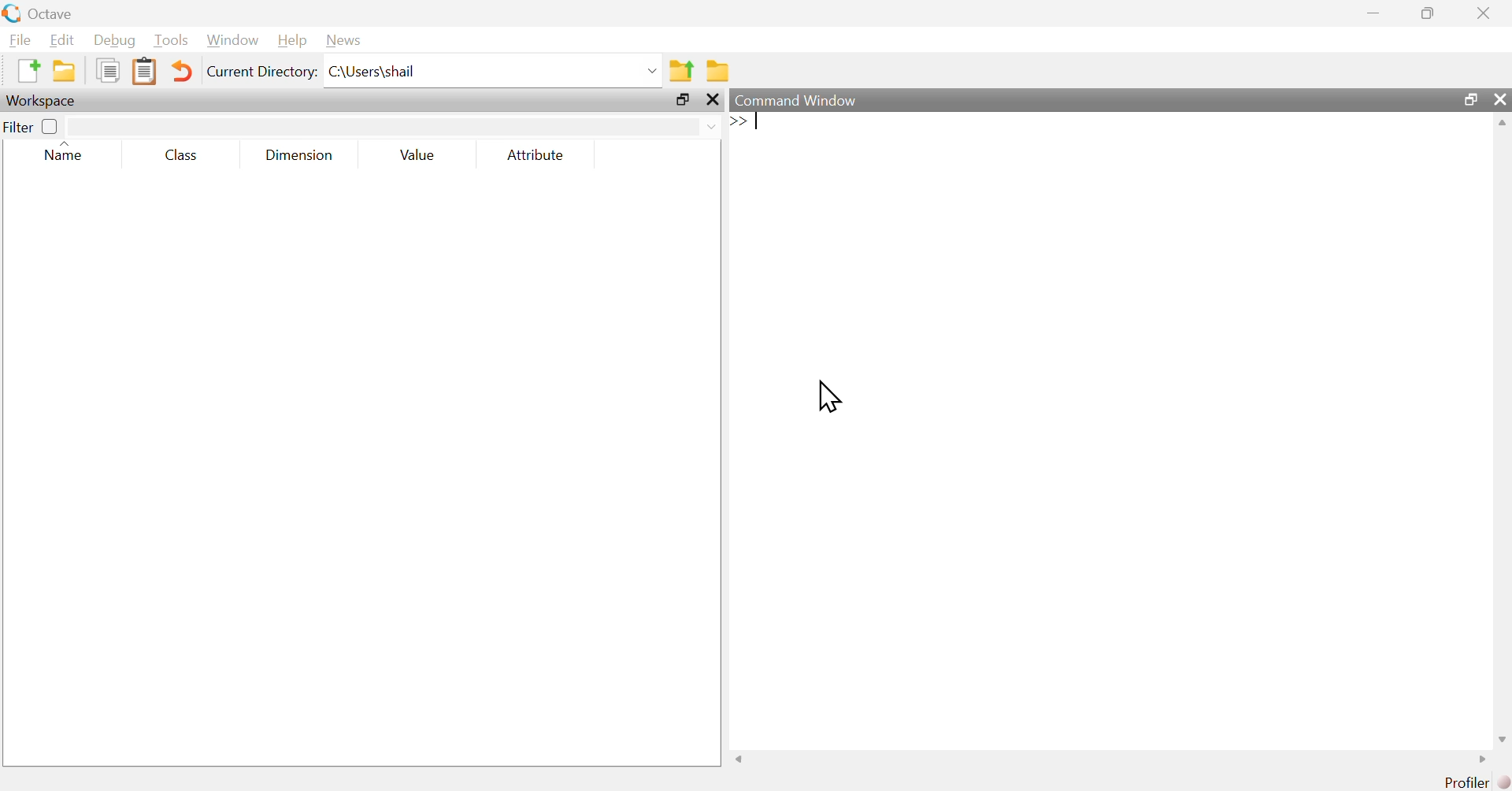  Describe the element at coordinates (71, 153) in the screenshot. I see `Name` at that location.